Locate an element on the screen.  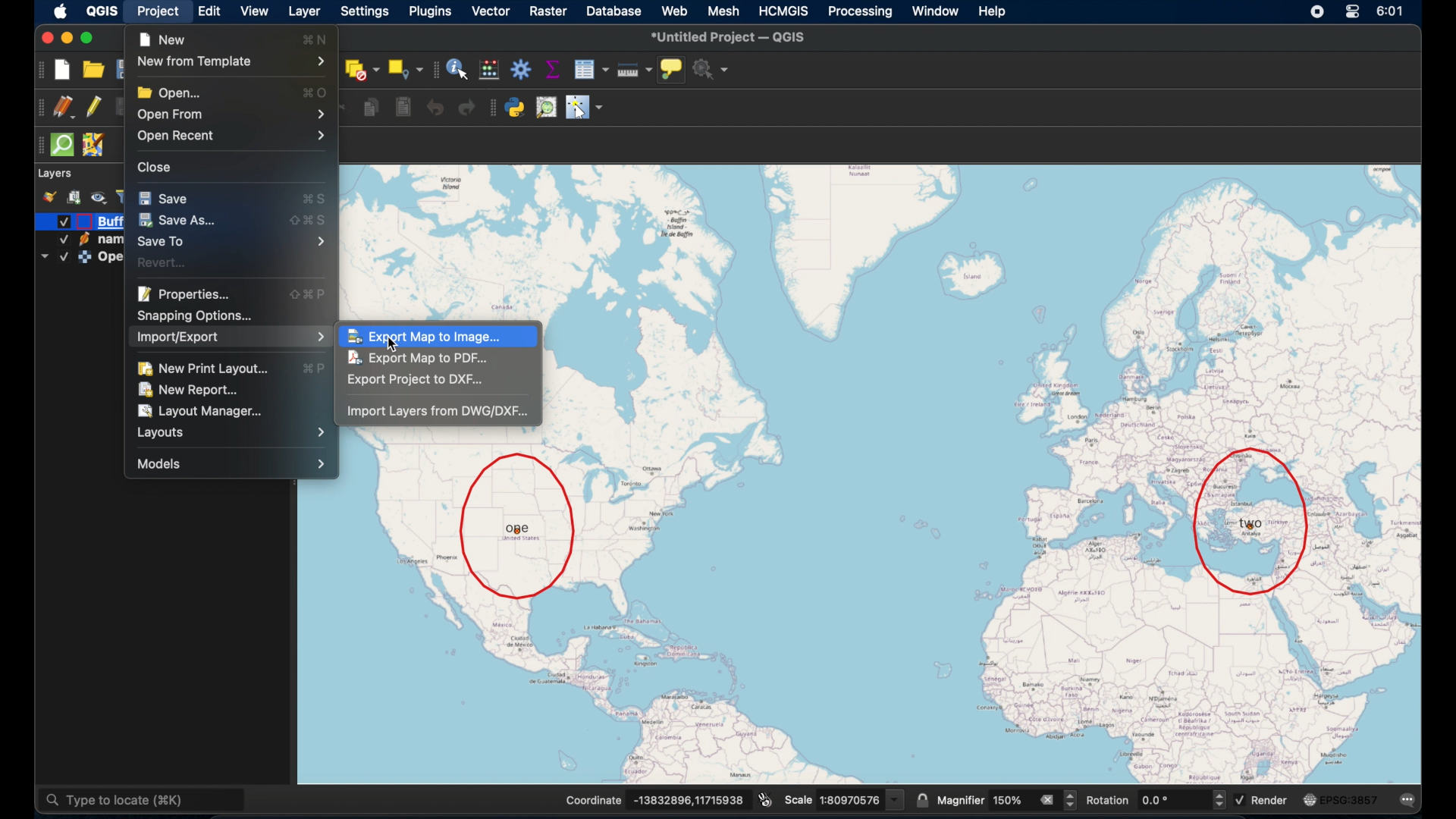
window is located at coordinates (937, 12).